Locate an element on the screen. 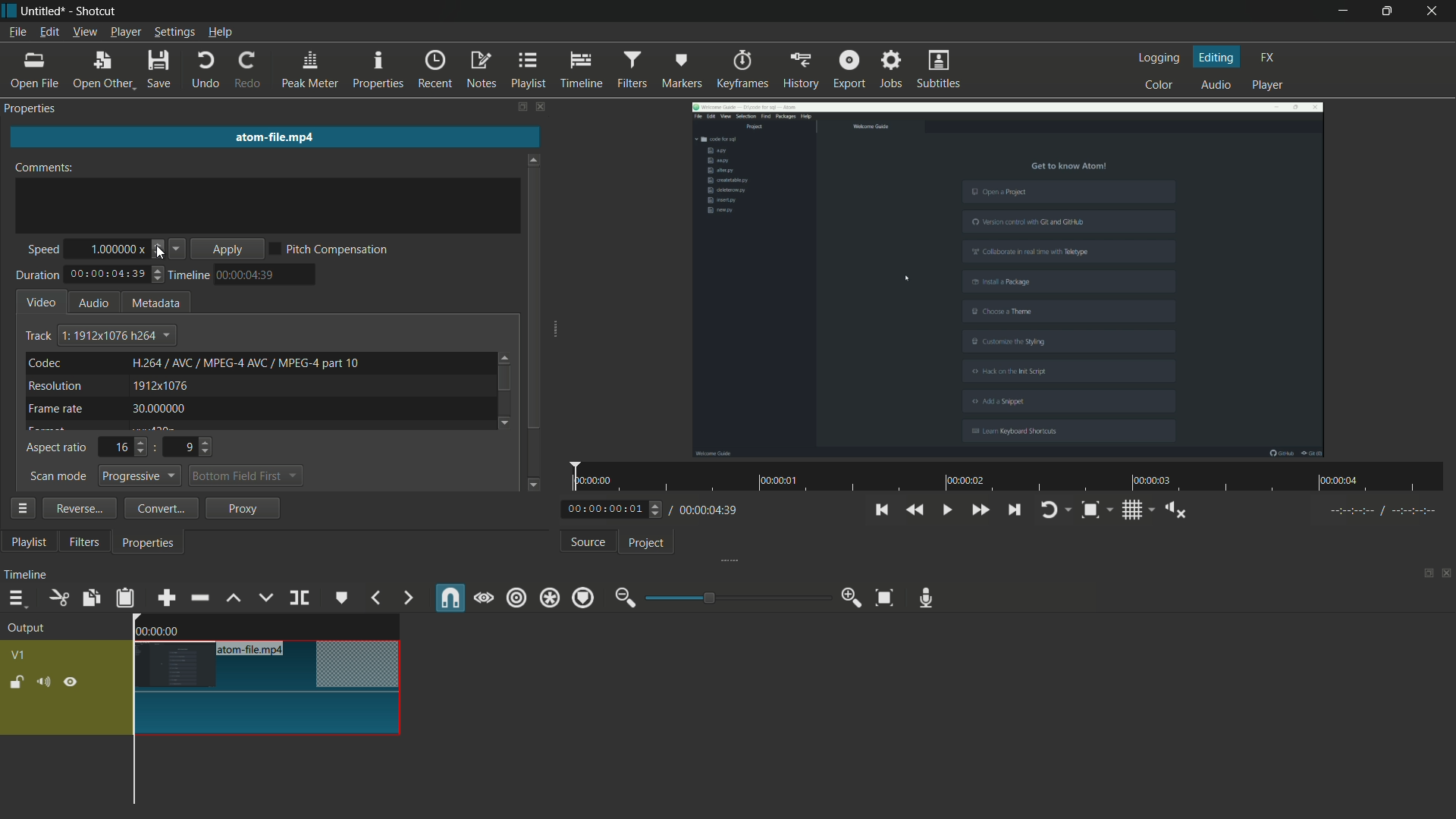  skip to the previous point is located at coordinates (880, 510).